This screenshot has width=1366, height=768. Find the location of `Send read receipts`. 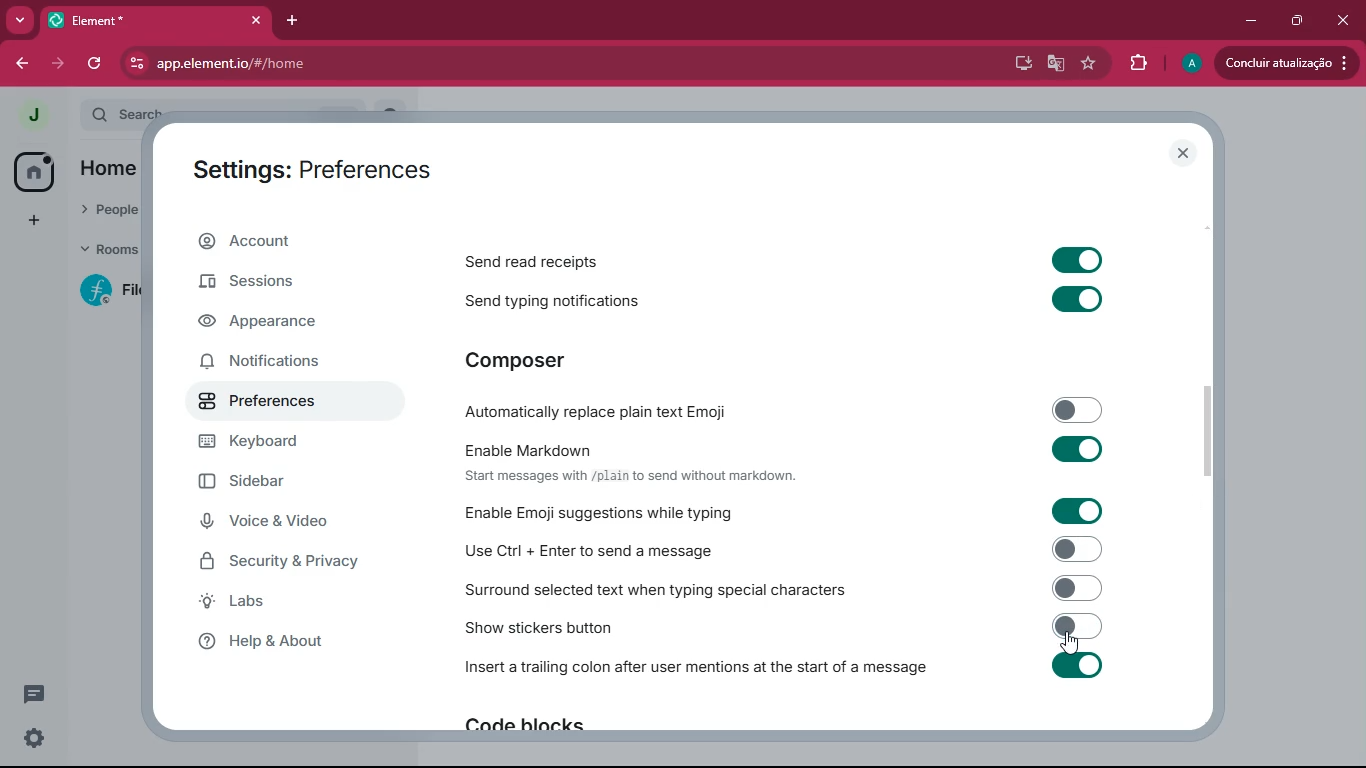

Send read receipts is located at coordinates (779, 258).